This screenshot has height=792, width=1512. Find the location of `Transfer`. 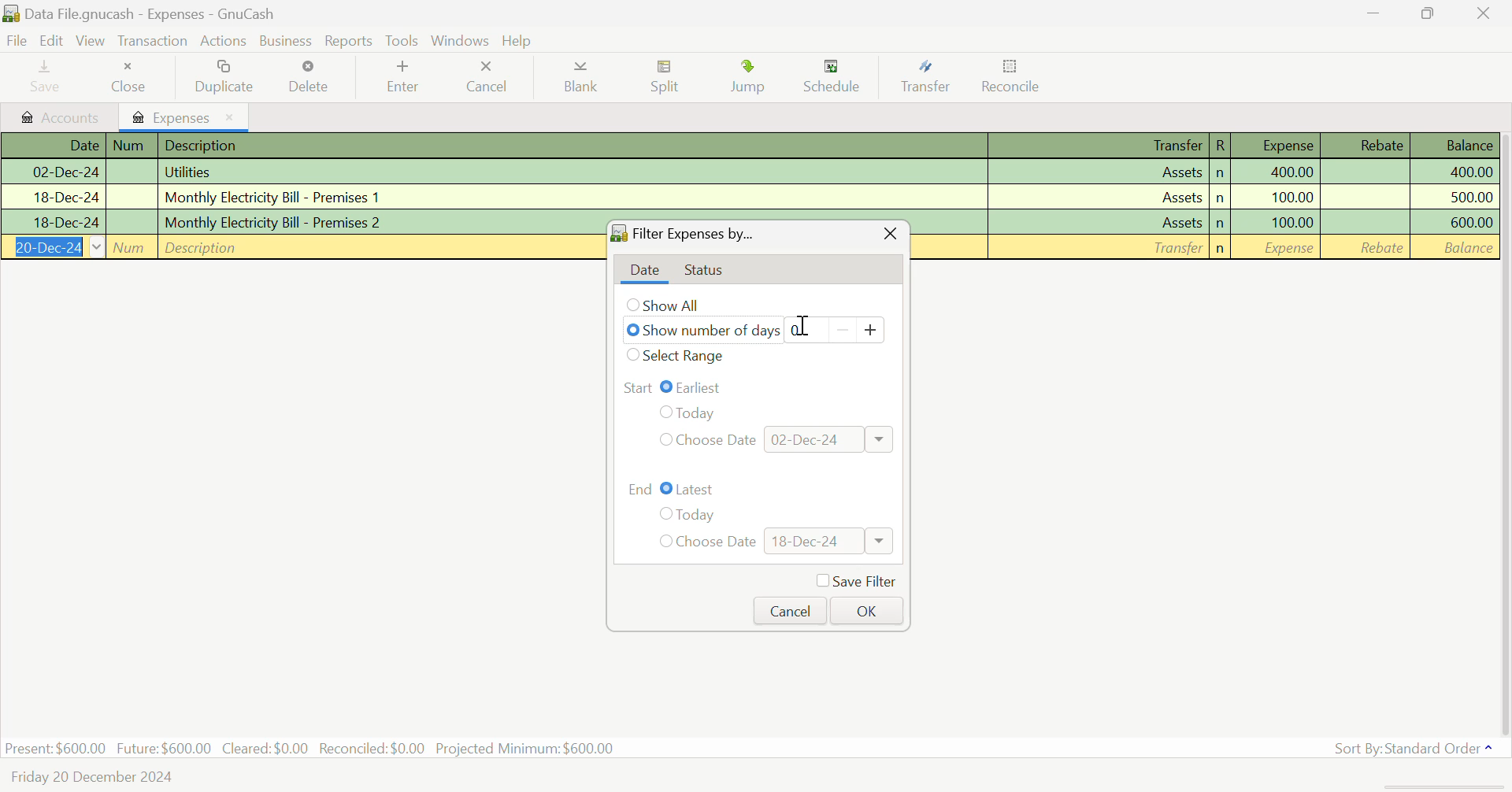

Transfer is located at coordinates (1097, 247).